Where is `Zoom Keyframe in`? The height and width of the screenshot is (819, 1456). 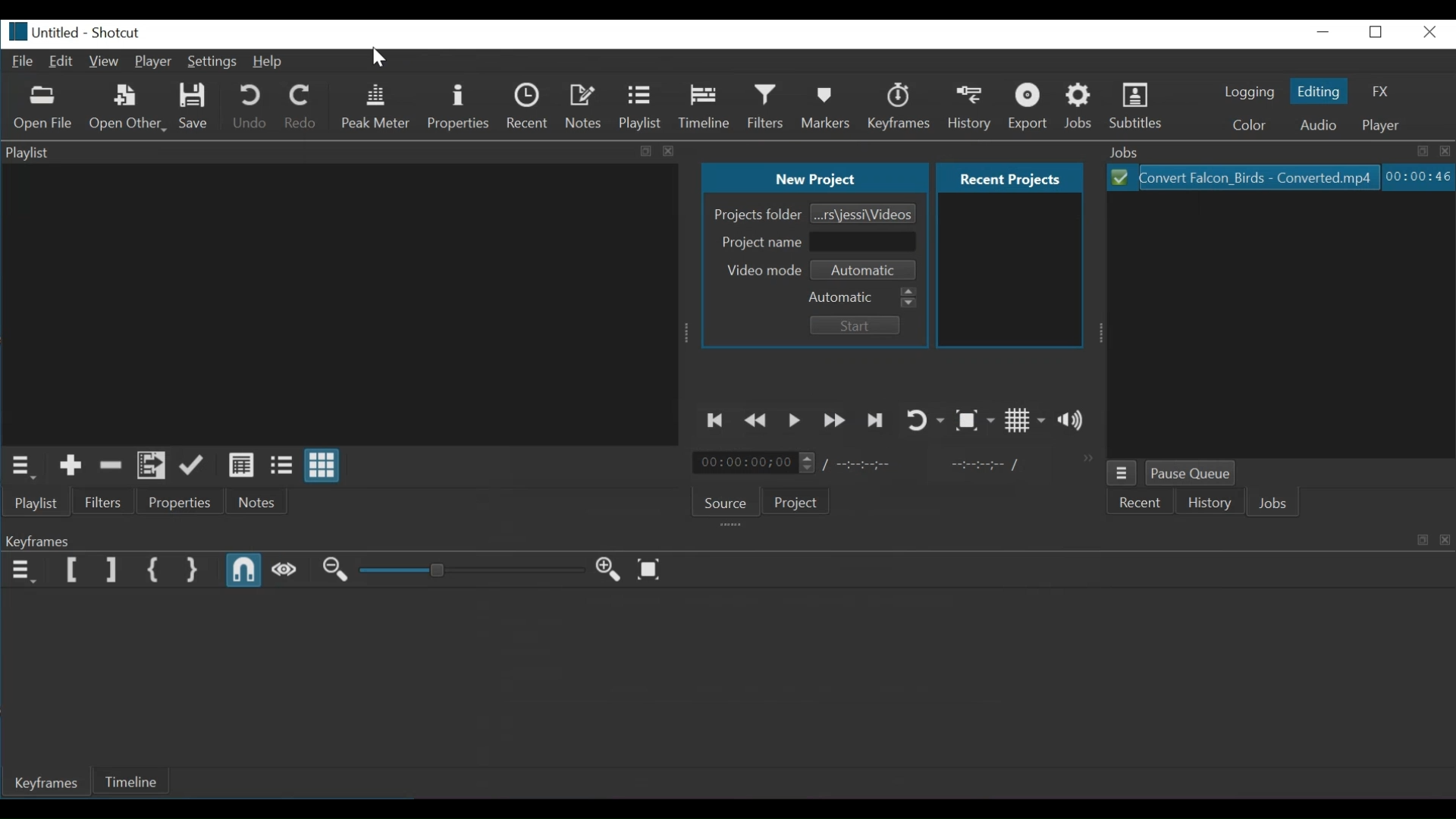 Zoom Keyframe in is located at coordinates (609, 571).